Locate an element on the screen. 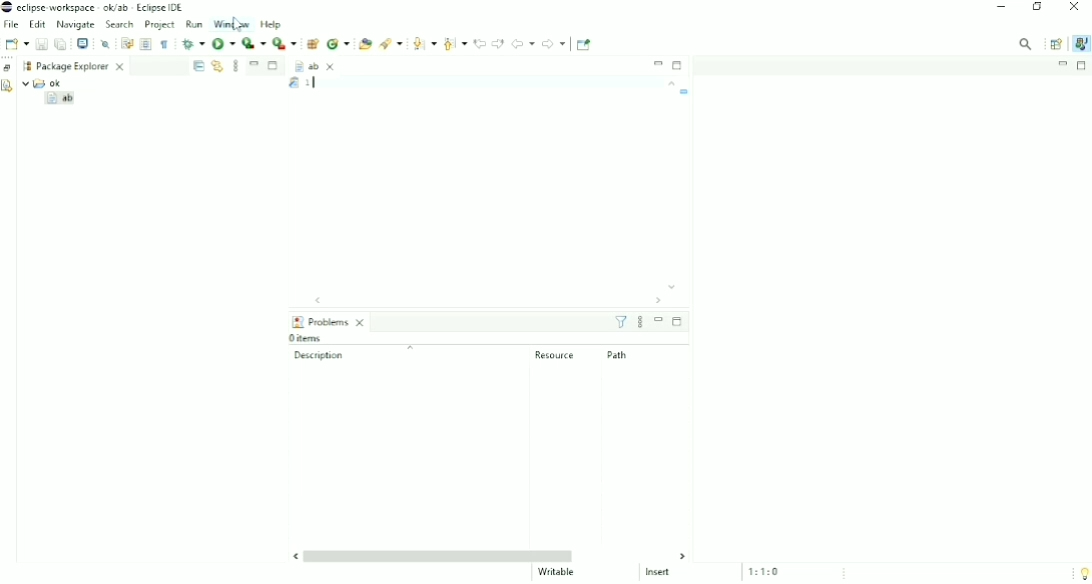 The width and height of the screenshot is (1092, 584). Writable is located at coordinates (558, 572).